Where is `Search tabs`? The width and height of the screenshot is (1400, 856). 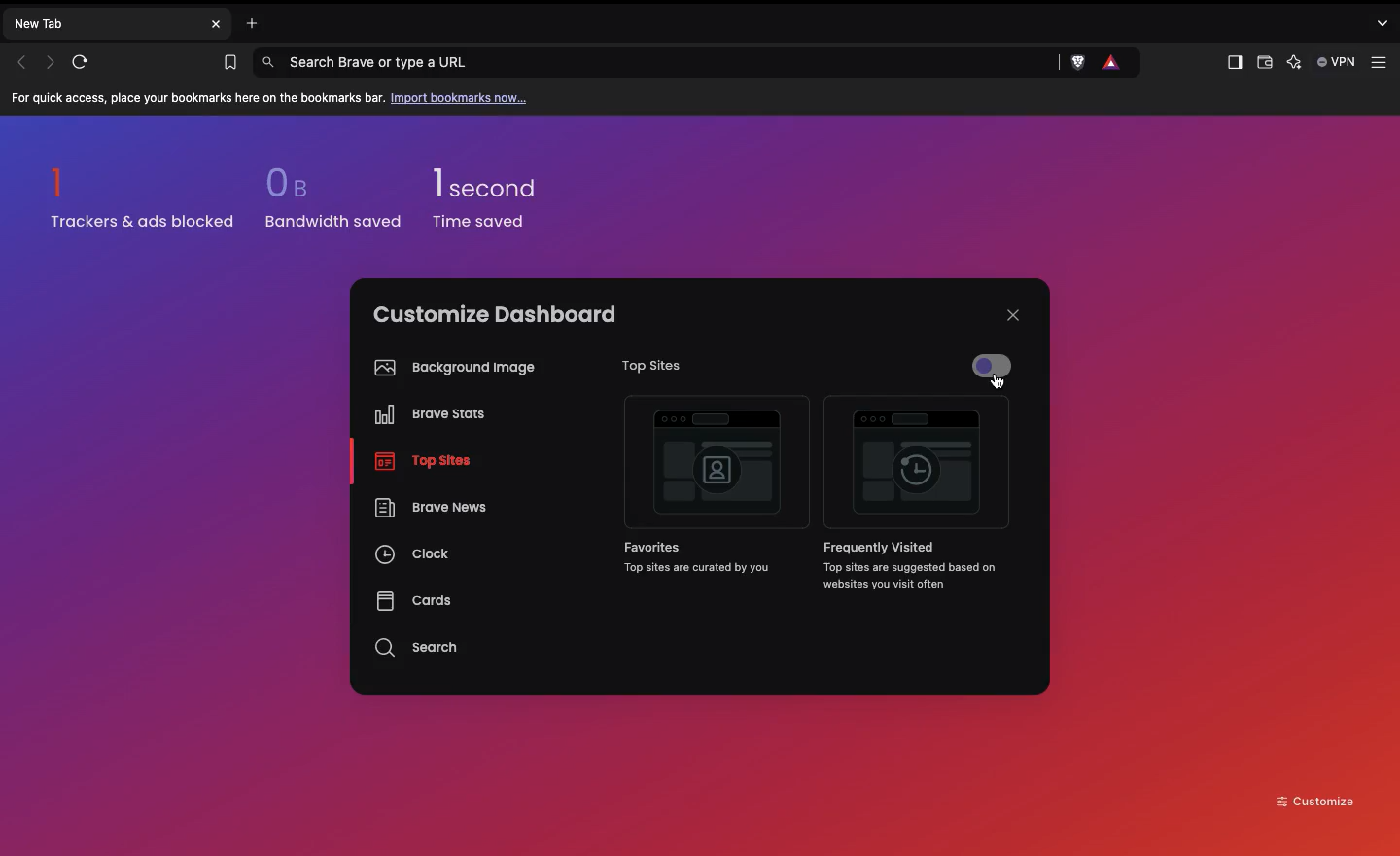 Search tabs is located at coordinates (1385, 22).